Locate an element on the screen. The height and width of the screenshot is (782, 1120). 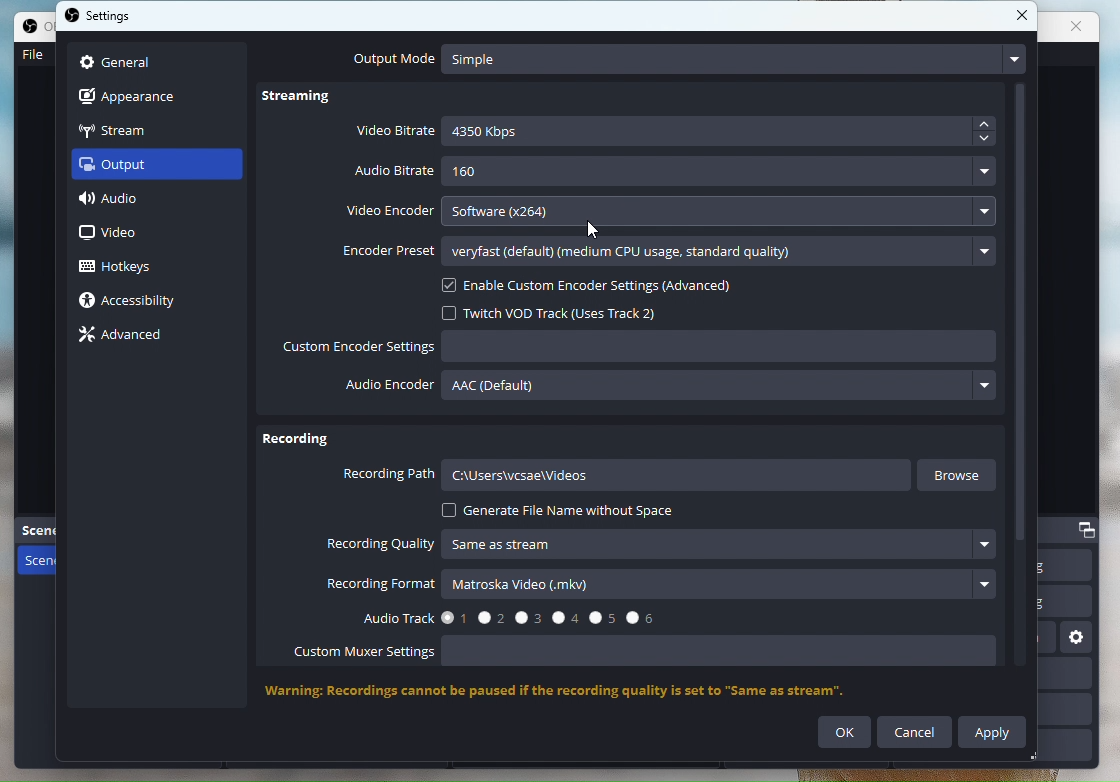
Stream is located at coordinates (136, 129).